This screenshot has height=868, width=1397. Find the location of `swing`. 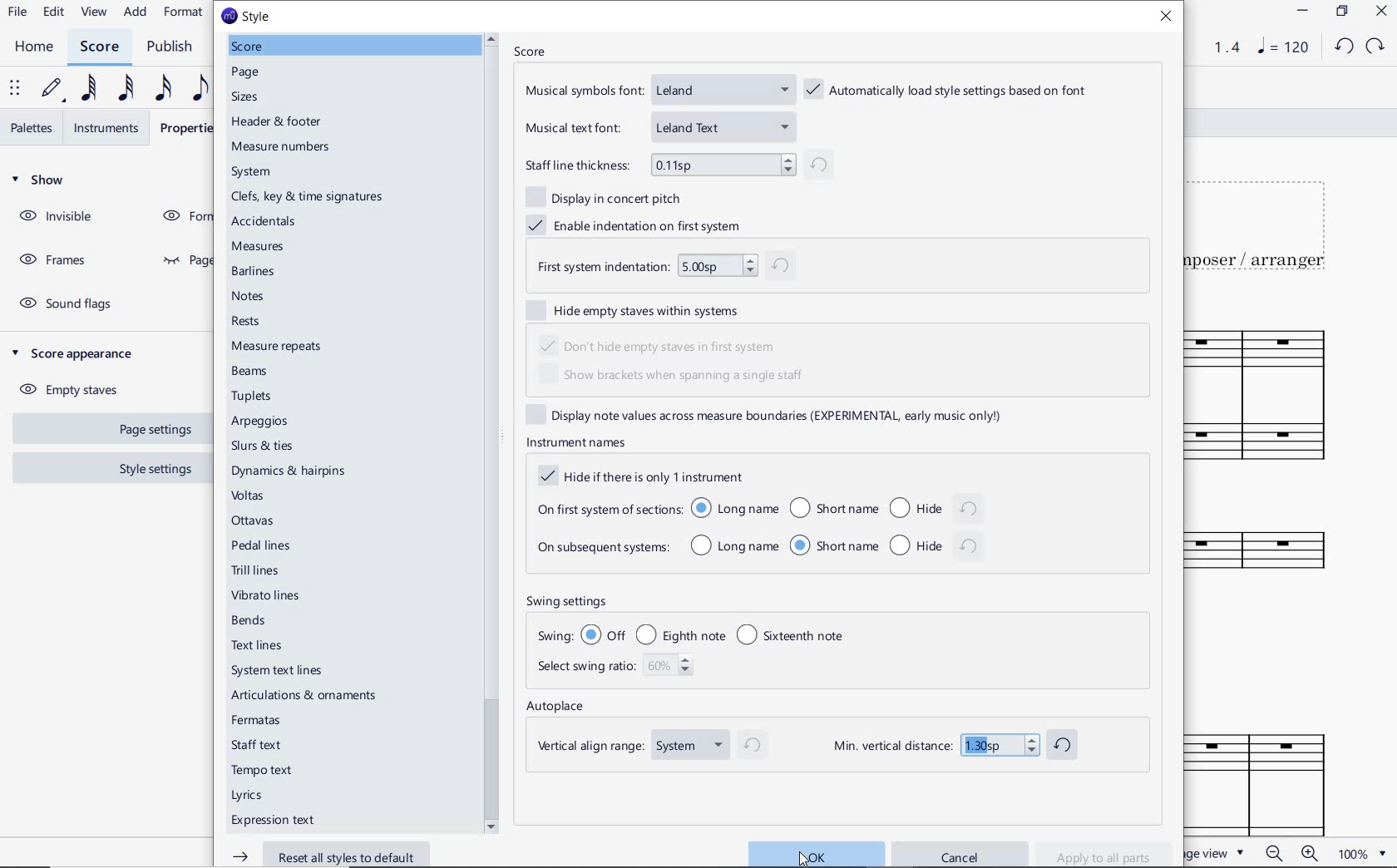

swing is located at coordinates (702, 634).